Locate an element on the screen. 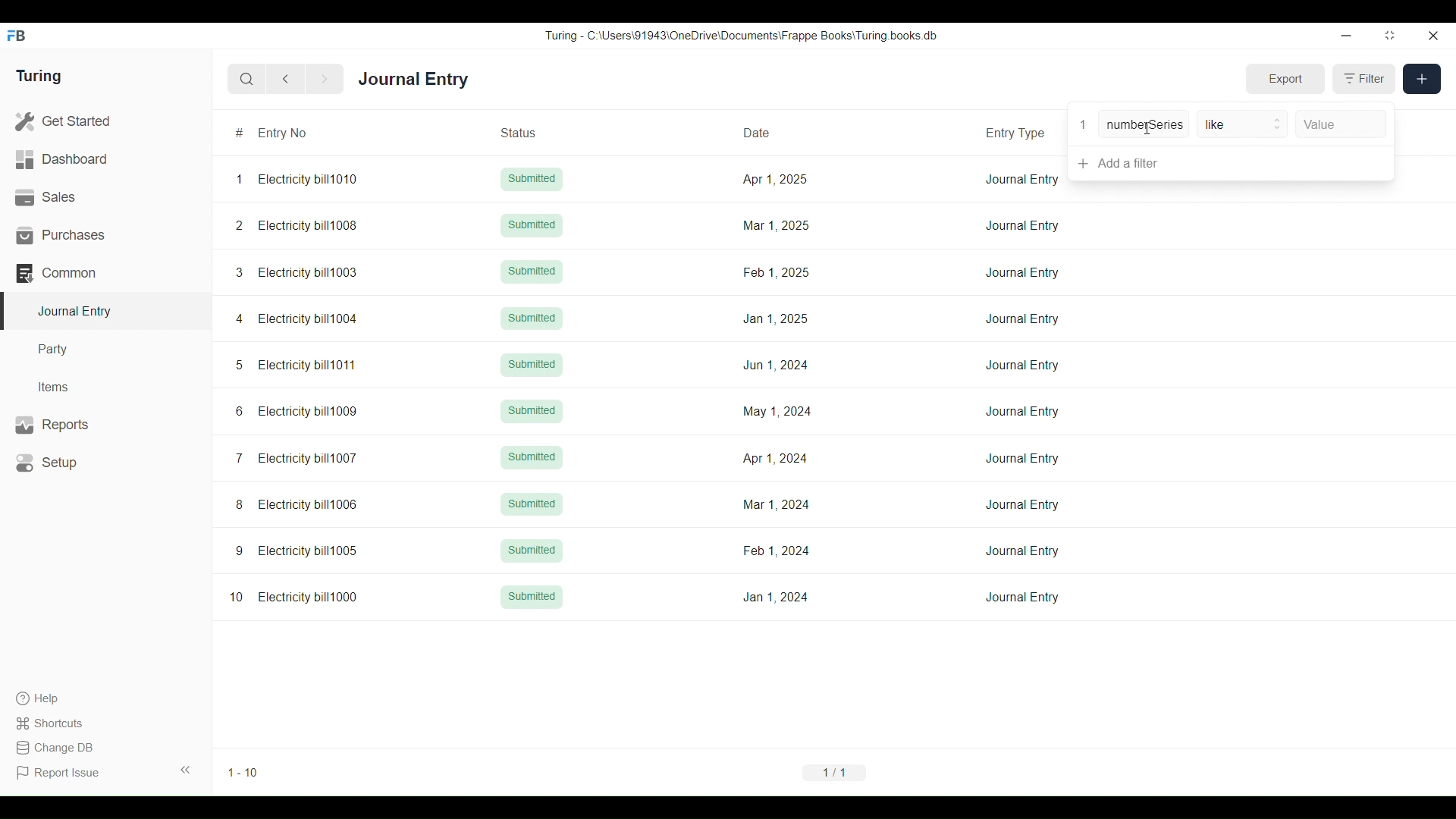 This screenshot has height=819, width=1456. Purchases is located at coordinates (105, 235).